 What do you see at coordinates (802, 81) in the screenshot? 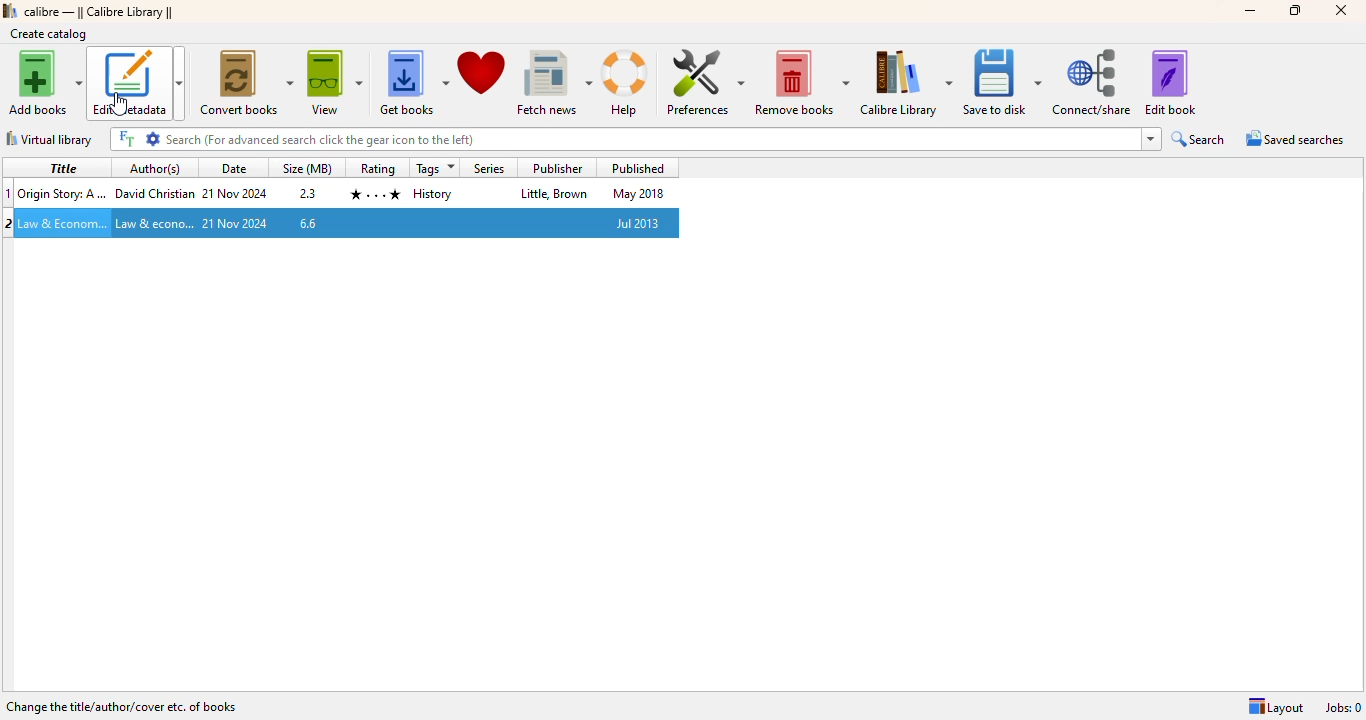
I see `remove books` at bounding box center [802, 81].